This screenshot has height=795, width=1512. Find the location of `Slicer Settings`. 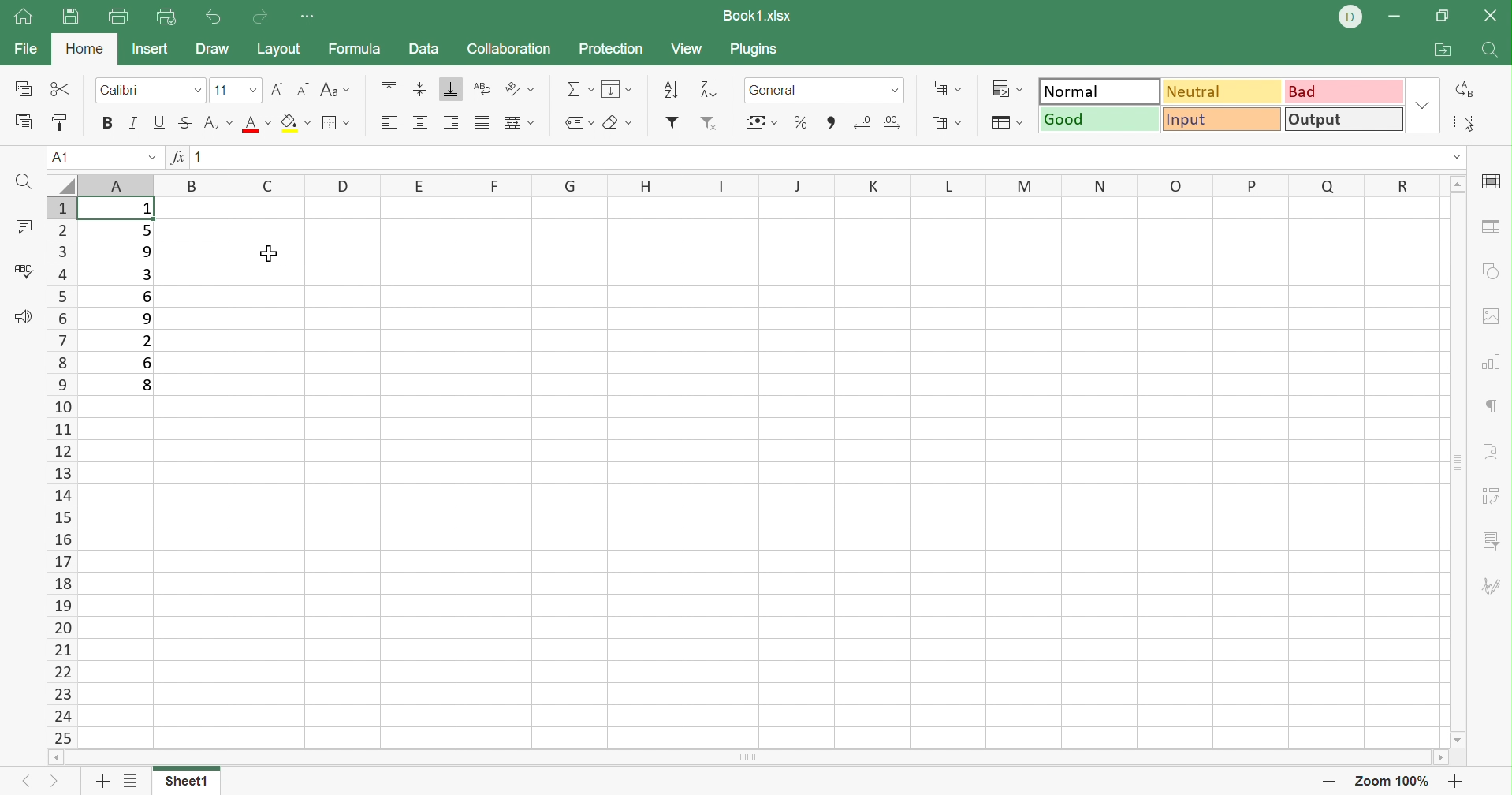

Slicer Settings is located at coordinates (1492, 543).